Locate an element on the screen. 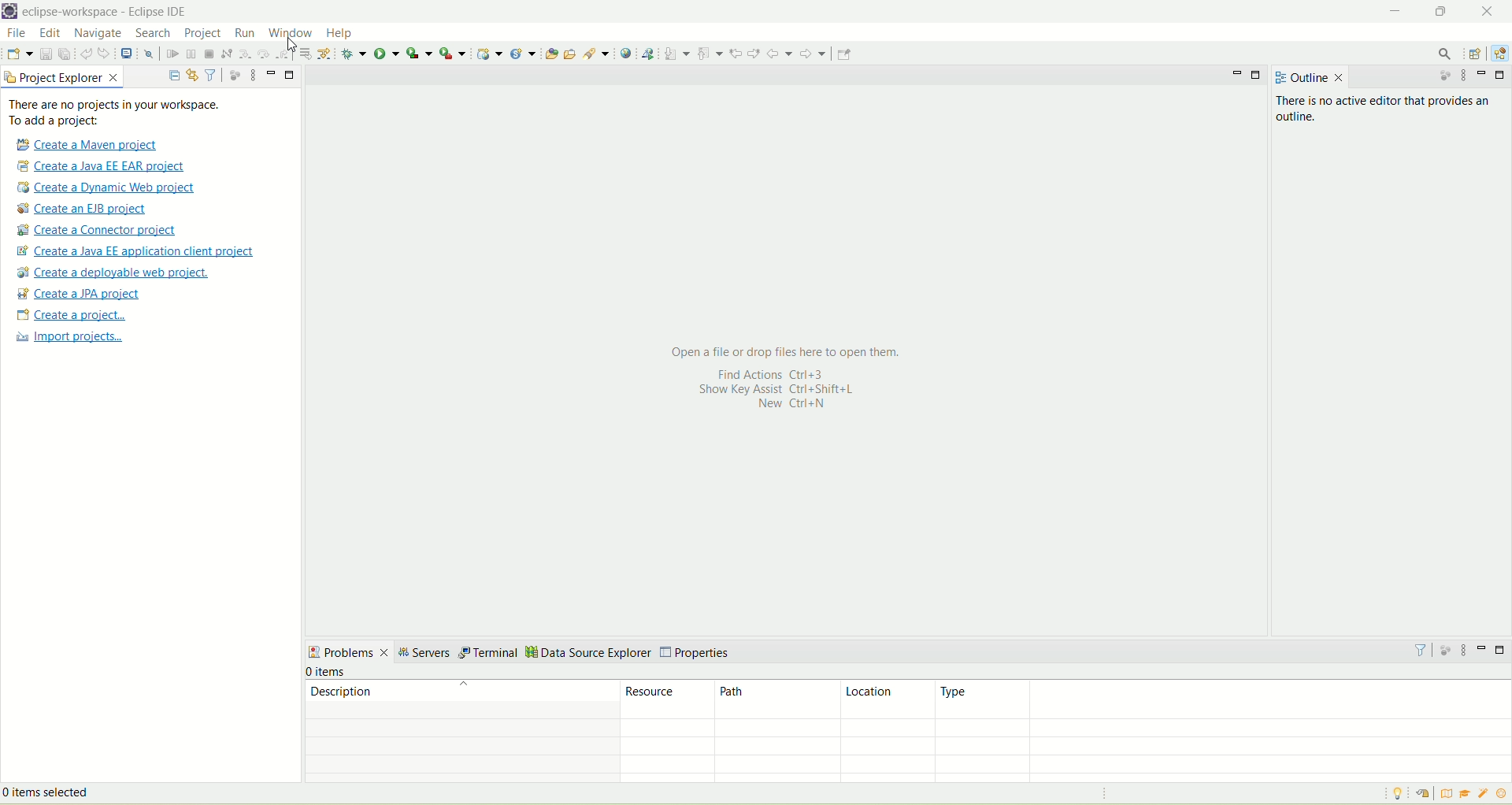  minimize is located at coordinates (1235, 73).